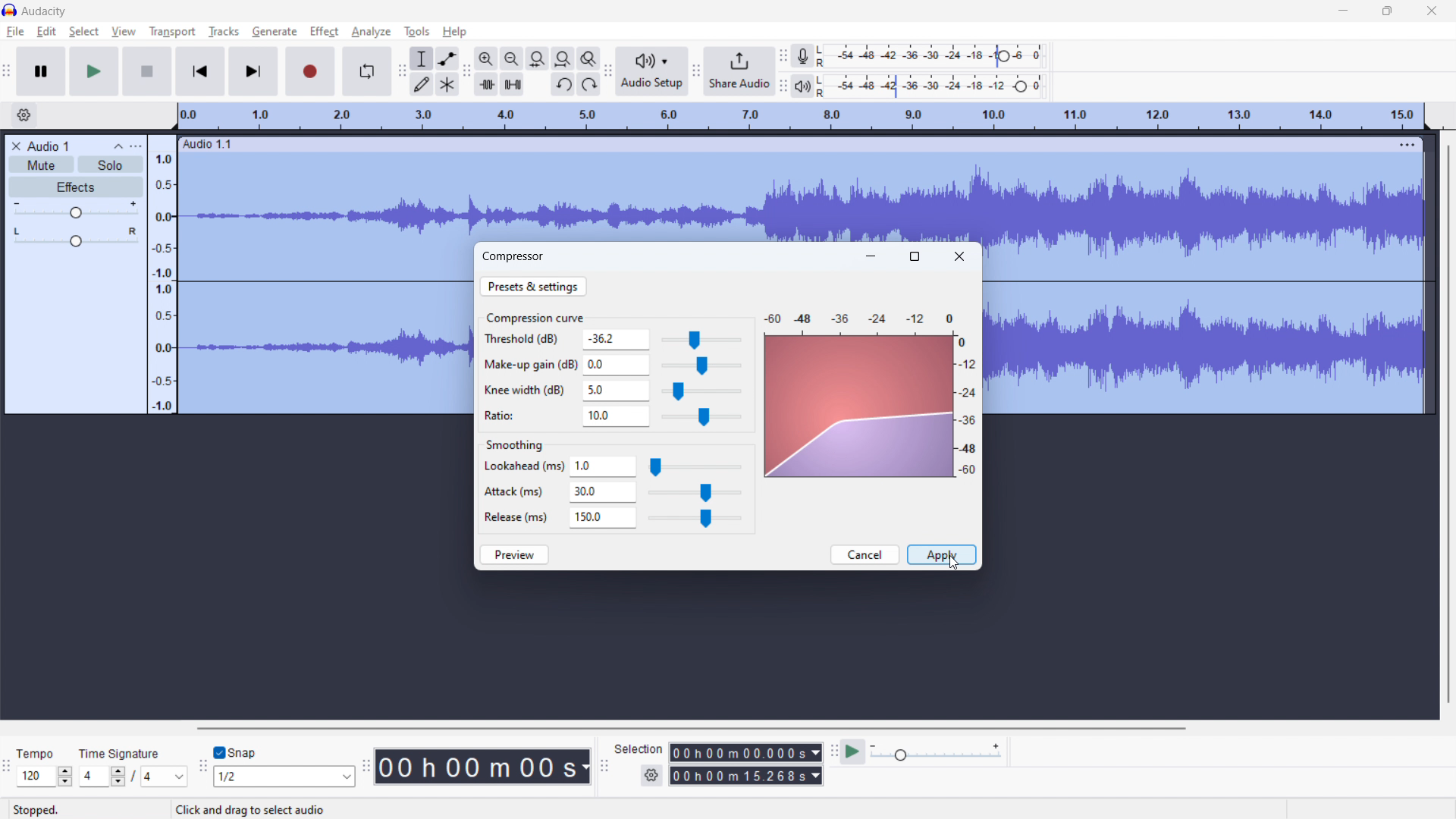  Describe the element at coordinates (417, 32) in the screenshot. I see `tools` at that location.